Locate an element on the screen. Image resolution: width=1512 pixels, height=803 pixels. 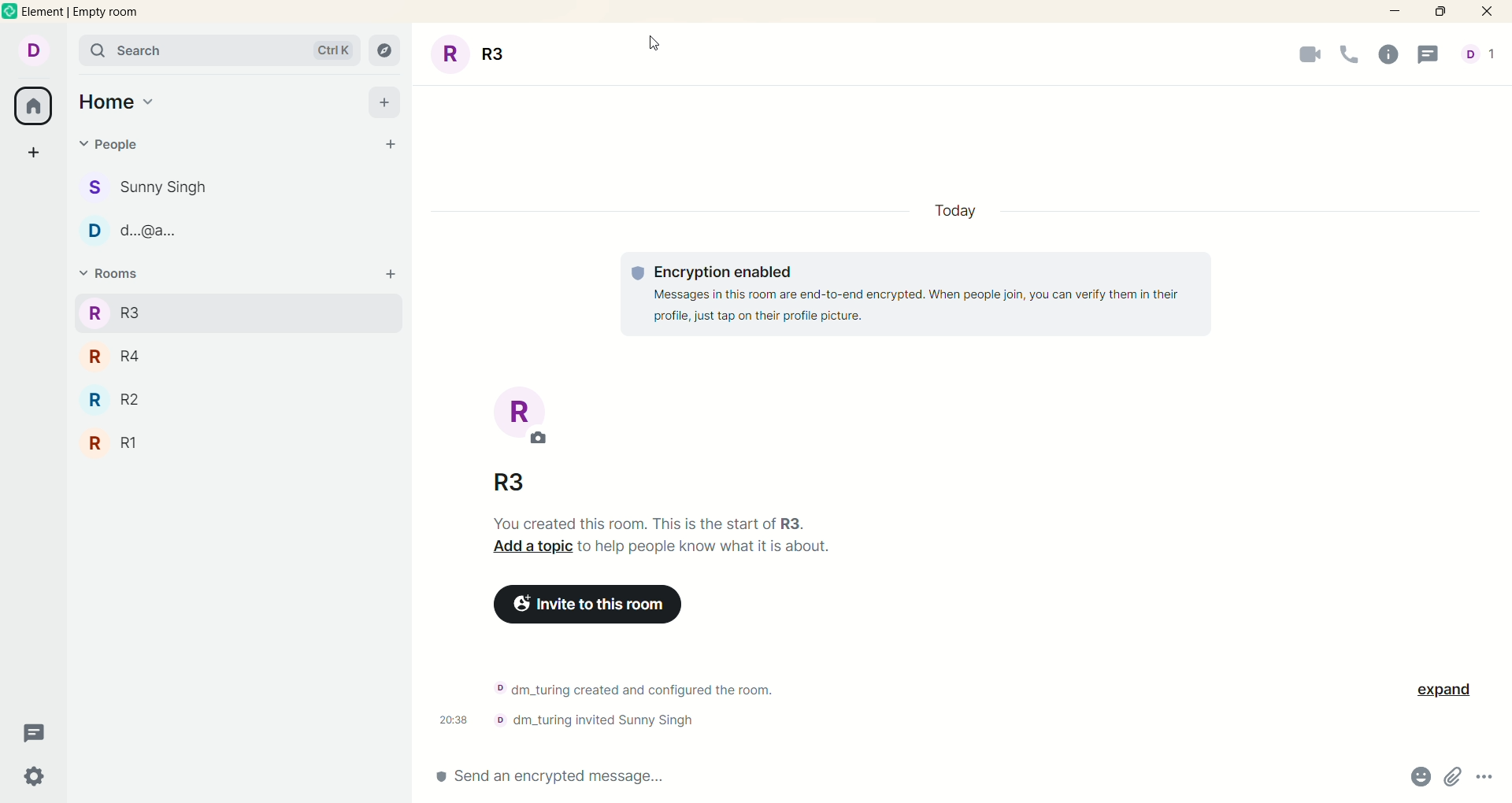
today is located at coordinates (960, 212).